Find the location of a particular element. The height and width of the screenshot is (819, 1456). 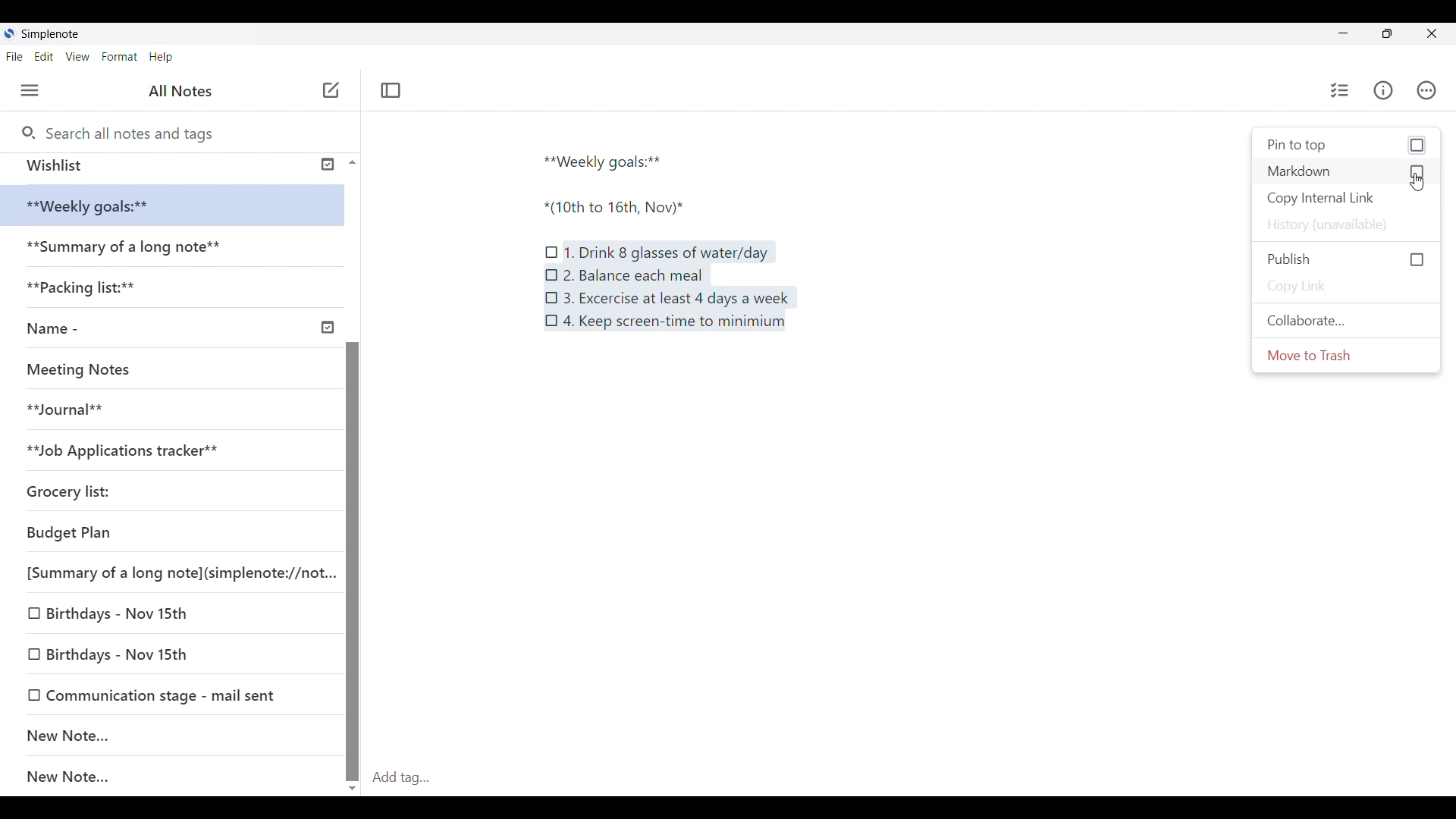

Checklist icon is located at coordinates (552, 321).